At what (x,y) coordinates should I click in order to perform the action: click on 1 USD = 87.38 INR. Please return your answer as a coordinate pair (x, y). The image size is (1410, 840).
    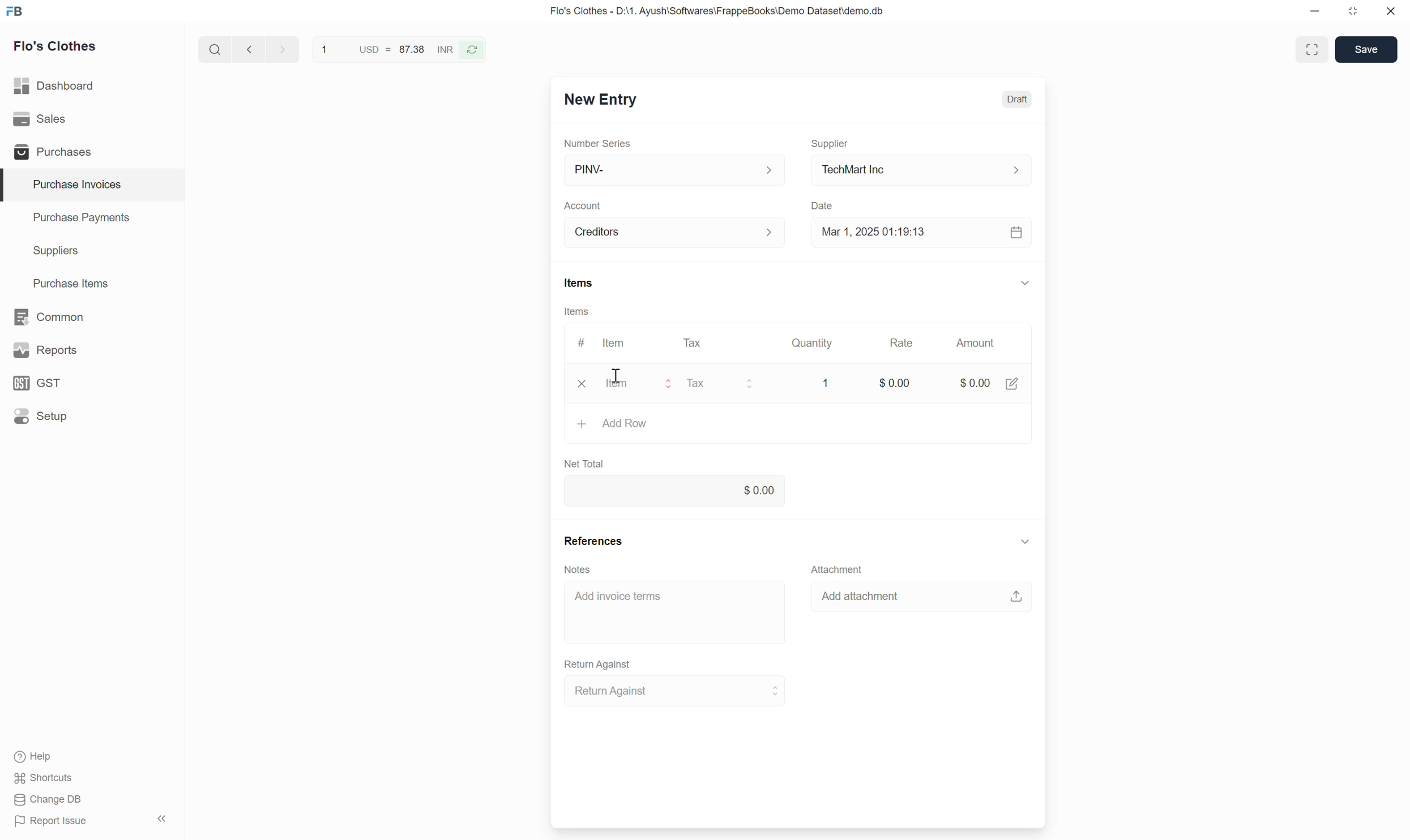
    Looking at the image, I should click on (385, 48).